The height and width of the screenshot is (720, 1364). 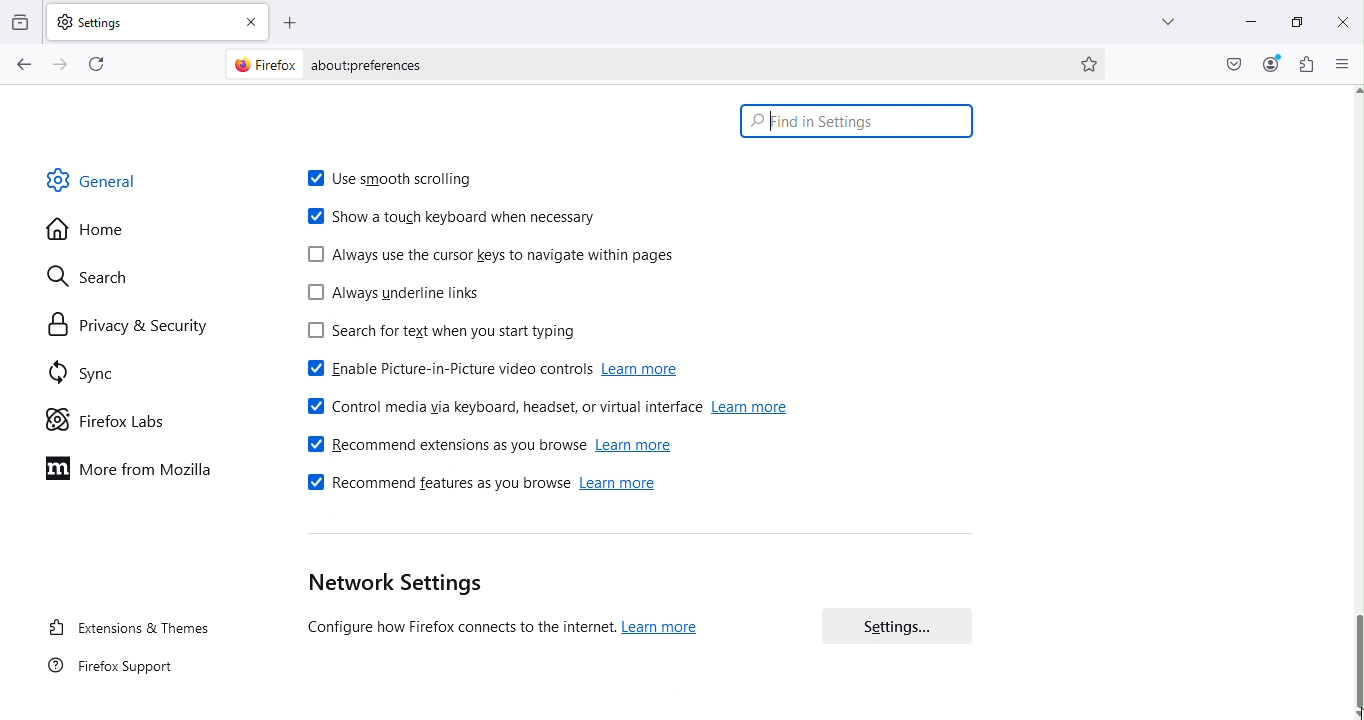 What do you see at coordinates (1307, 64) in the screenshot?
I see `Extensions` at bounding box center [1307, 64].